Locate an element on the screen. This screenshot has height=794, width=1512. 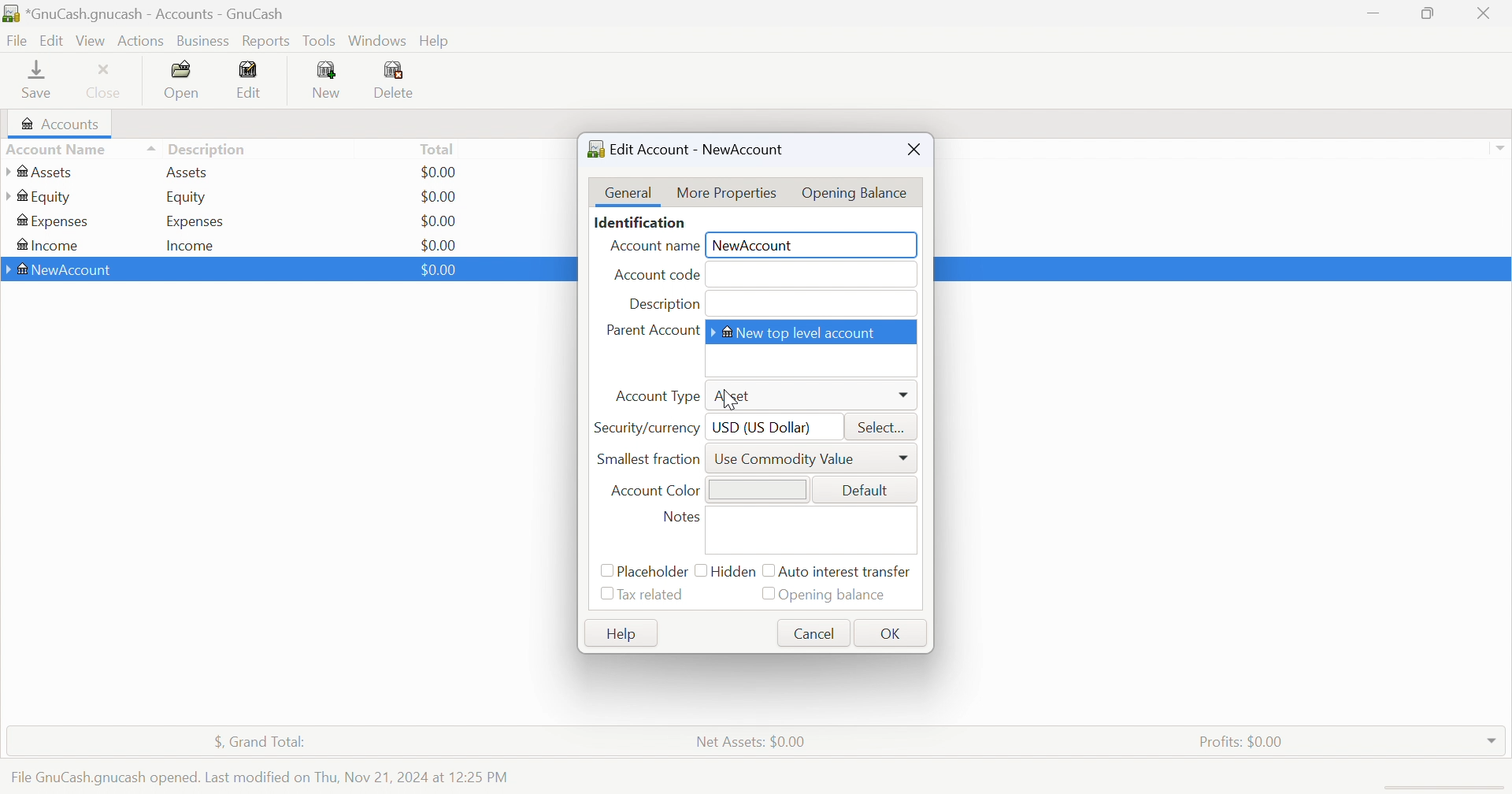
Help is located at coordinates (618, 633).